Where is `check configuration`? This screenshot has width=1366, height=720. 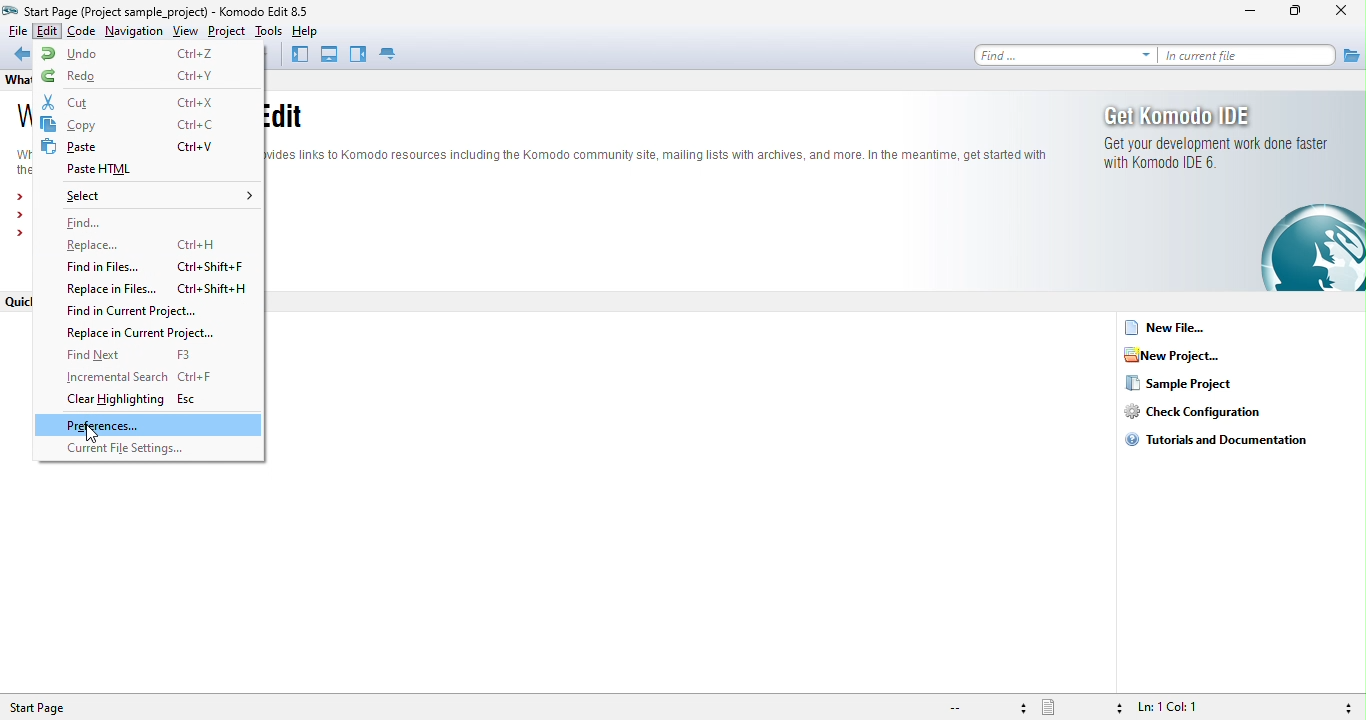 check configuration is located at coordinates (1202, 413).